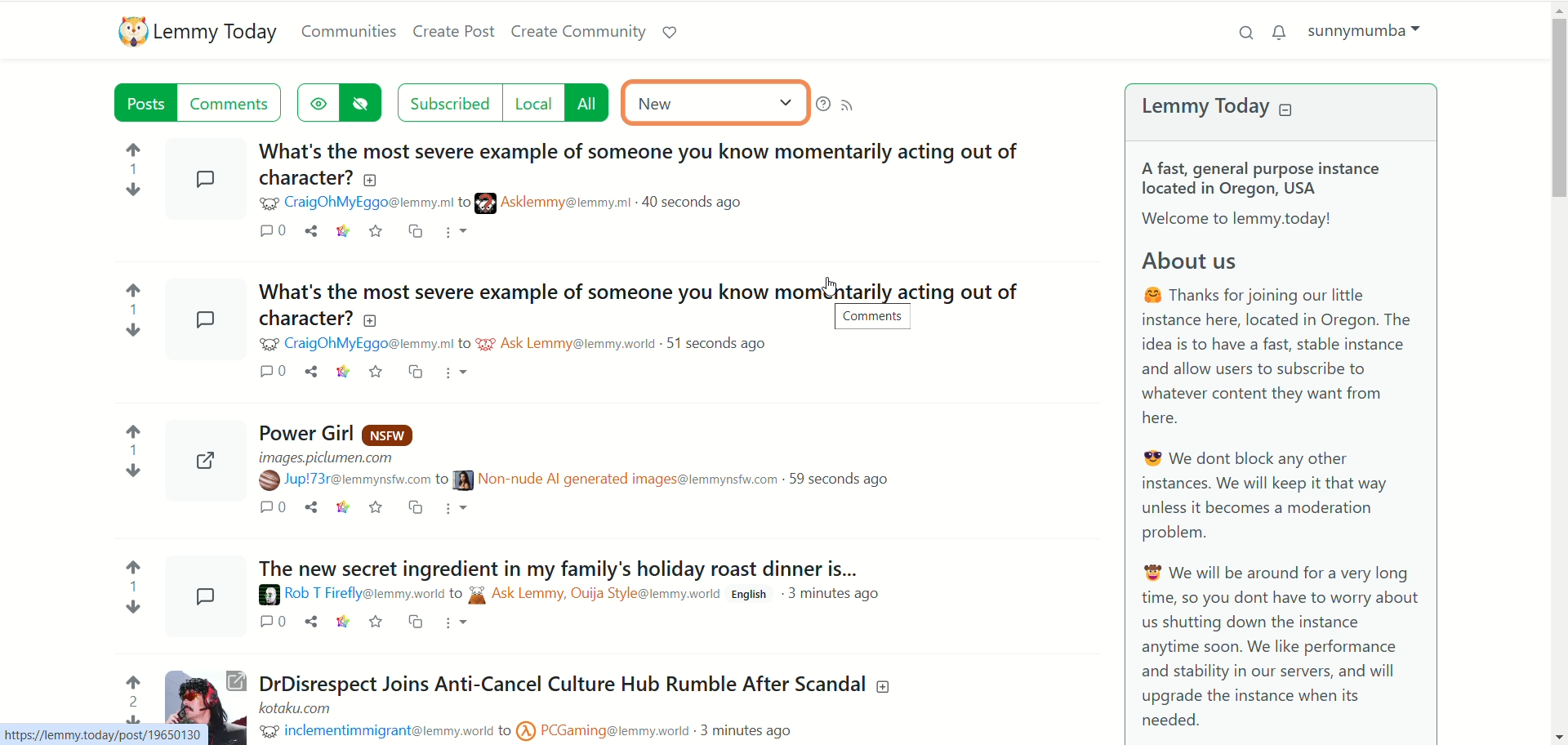  What do you see at coordinates (670, 33) in the screenshot?
I see `support lemmy` at bounding box center [670, 33].